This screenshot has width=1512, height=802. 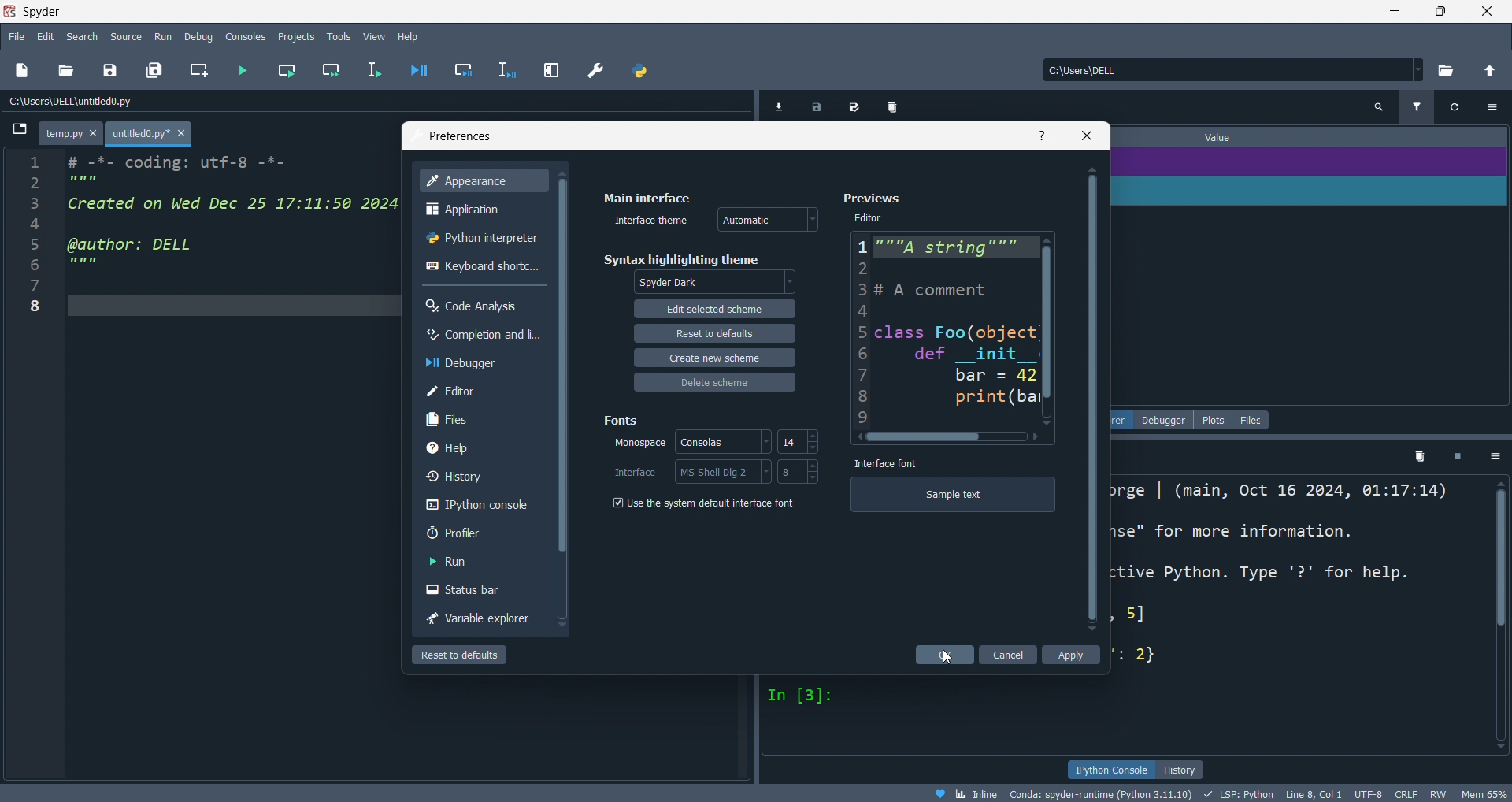 I want to click on hlep, so click(x=482, y=446).